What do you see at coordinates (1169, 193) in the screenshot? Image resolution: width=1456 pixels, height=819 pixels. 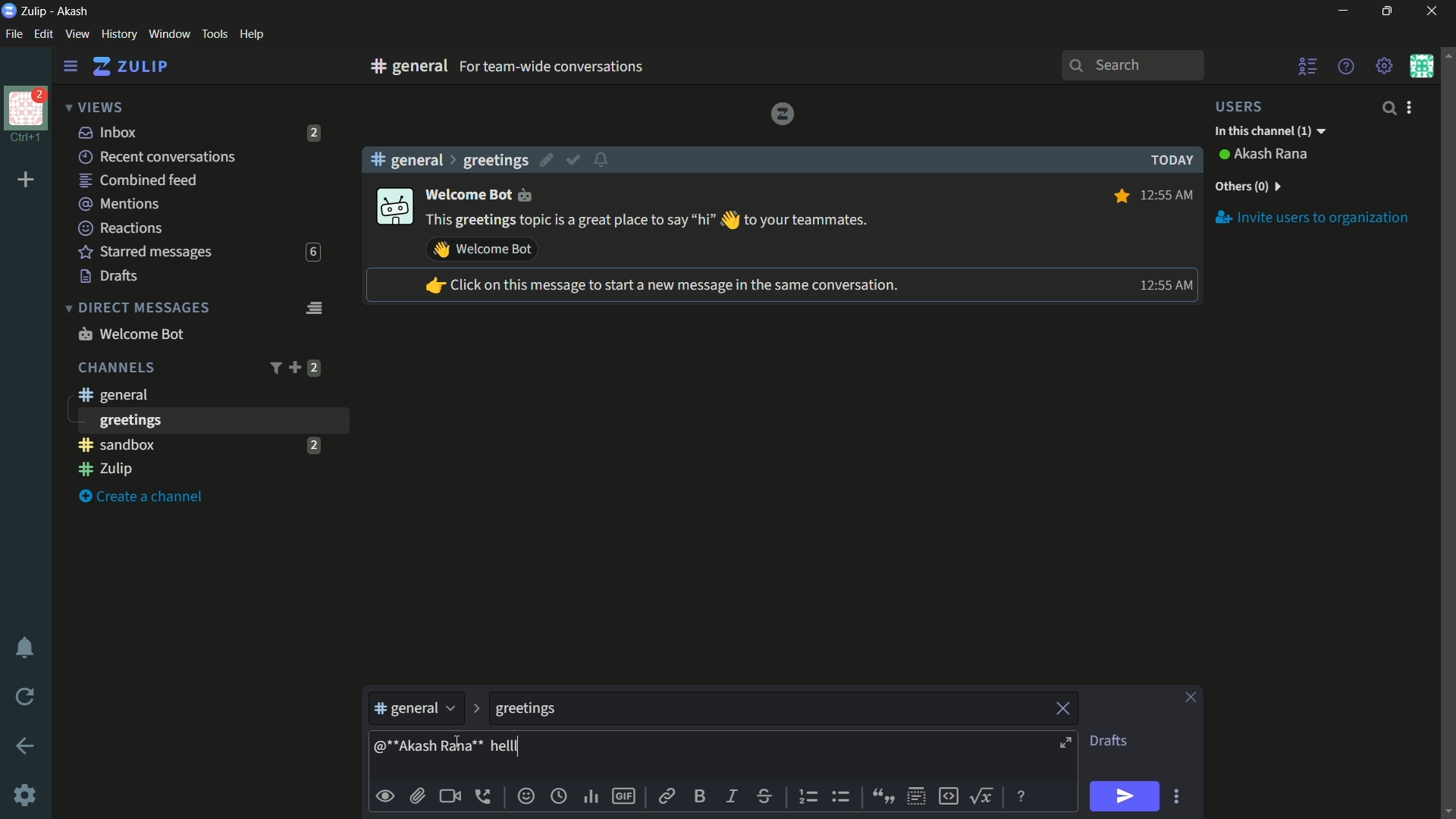 I see `12: 55 AM` at bounding box center [1169, 193].